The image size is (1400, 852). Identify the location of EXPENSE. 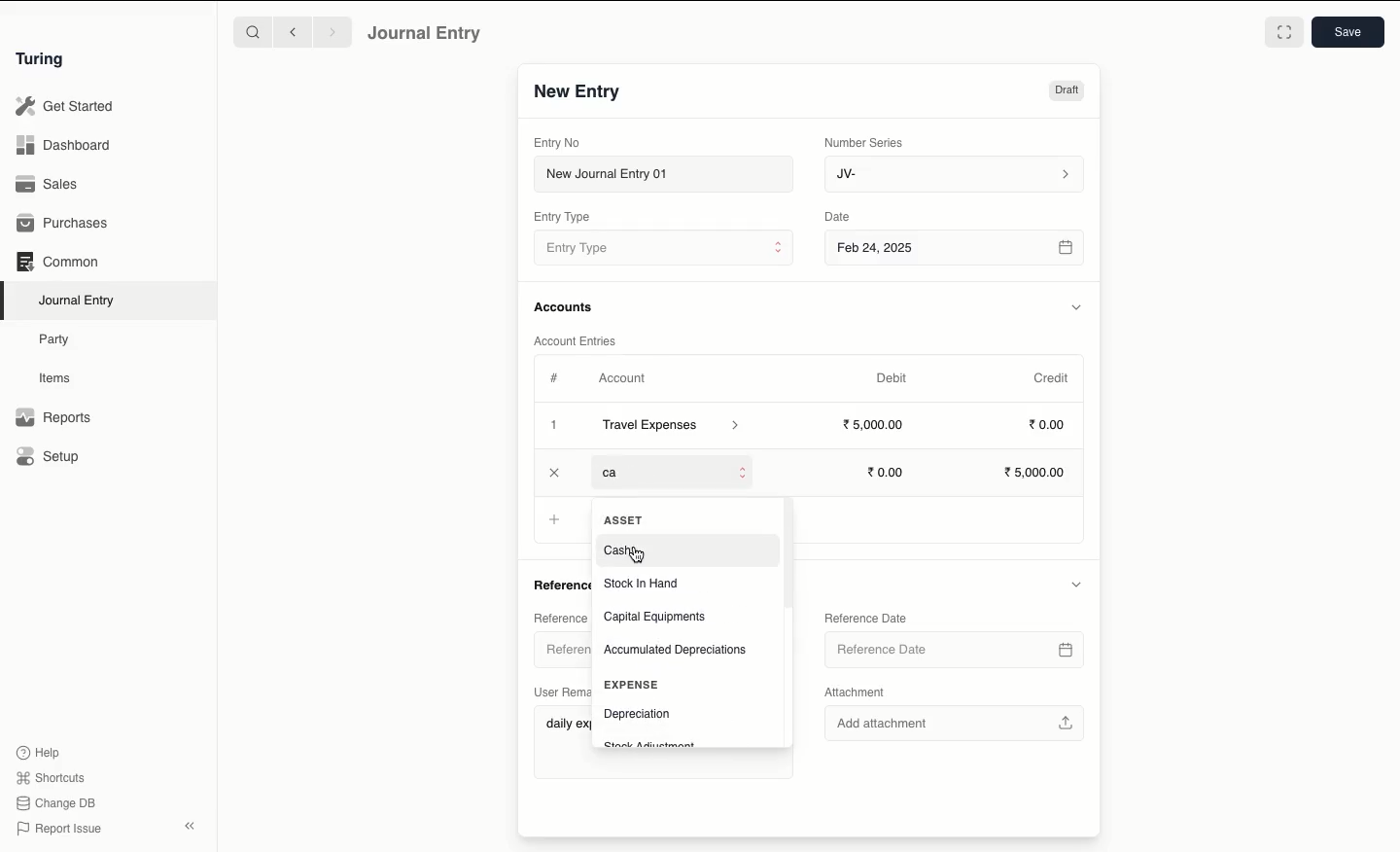
(637, 684).